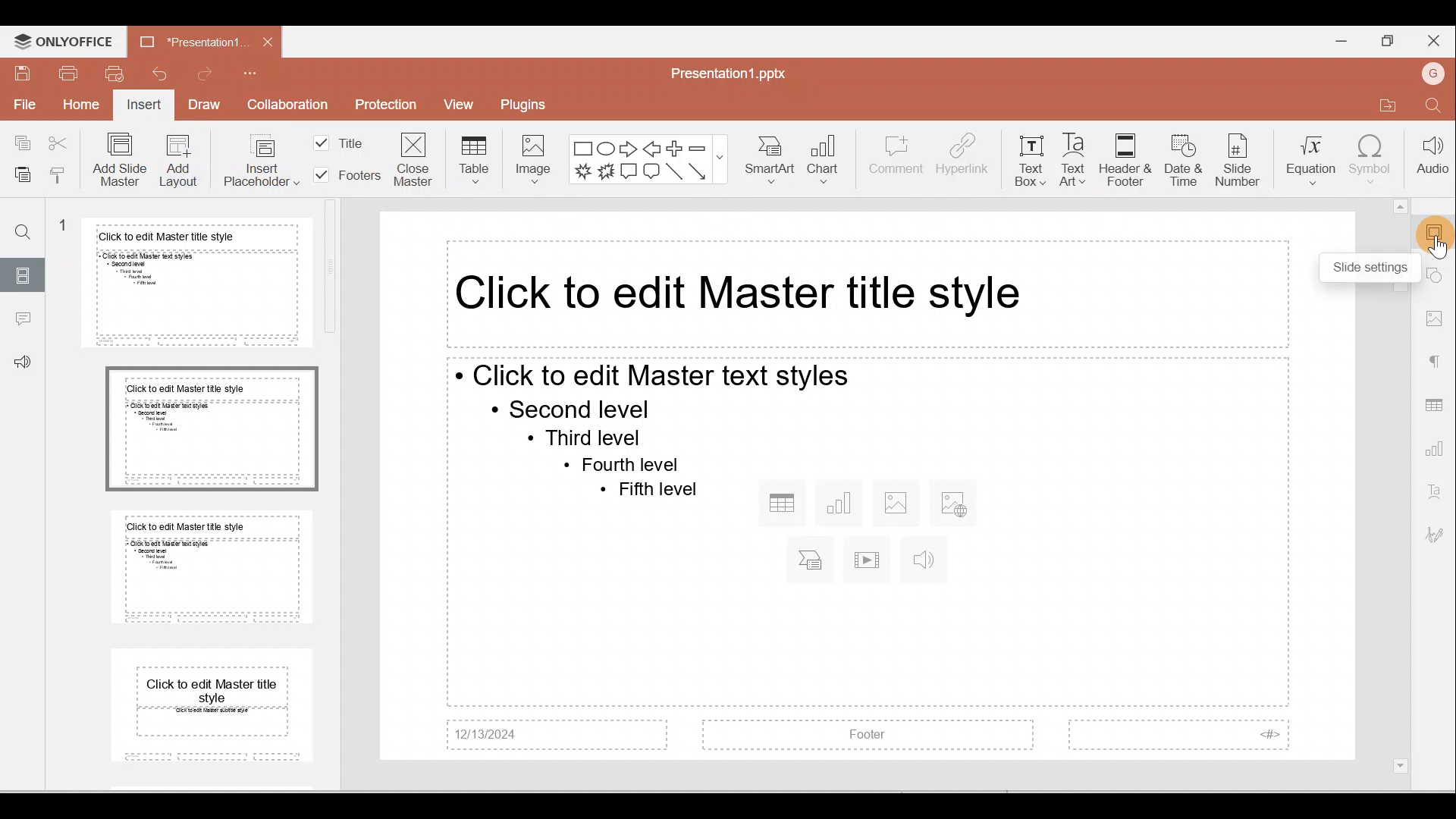  Describe the element at coordinates (629, 148) in the screenshot. I see `Right arrow` at that location.